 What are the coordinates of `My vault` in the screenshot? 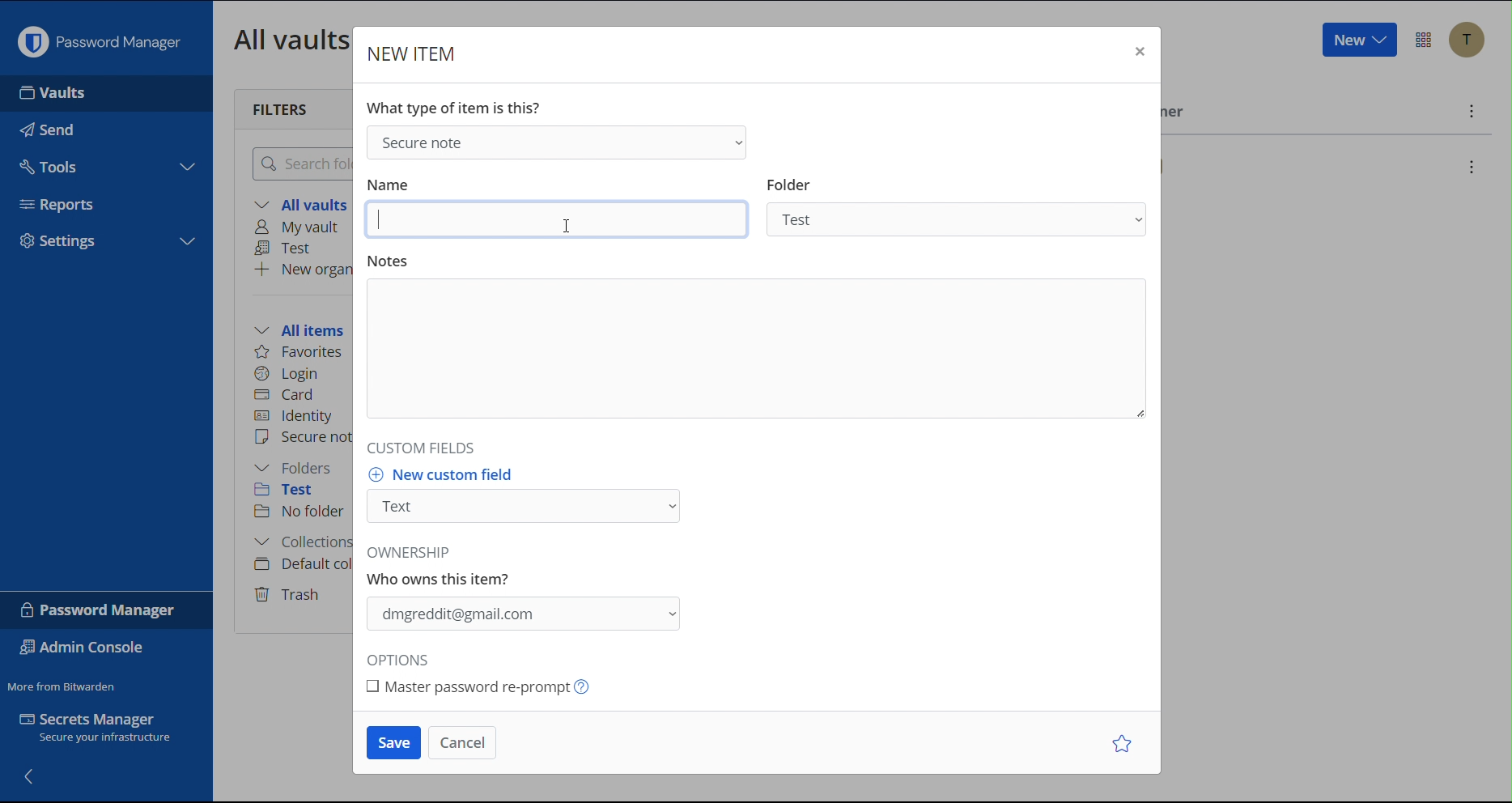 It's located at (302, 228).